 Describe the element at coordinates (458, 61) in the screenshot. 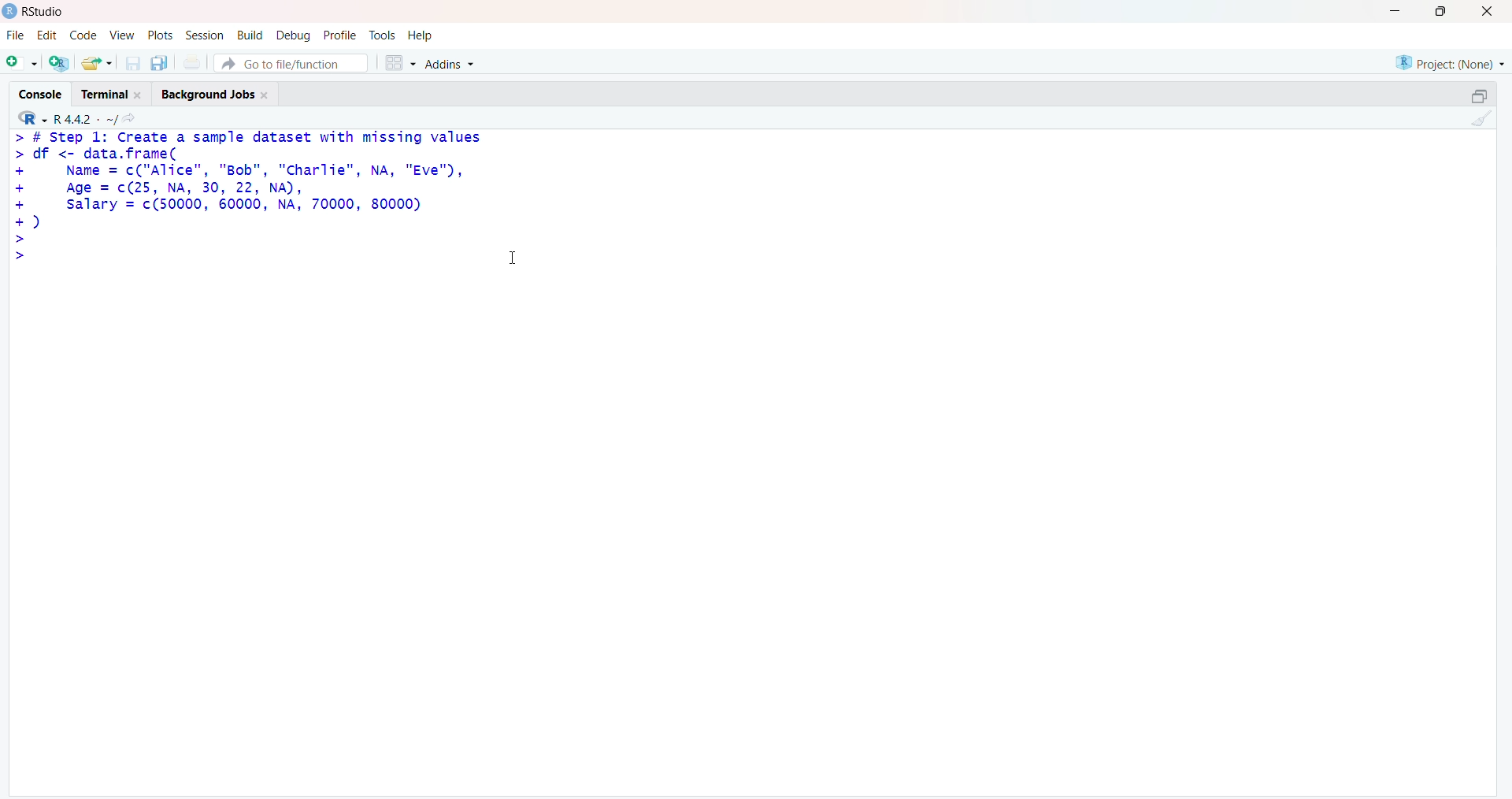

I see `Addins` at that location.